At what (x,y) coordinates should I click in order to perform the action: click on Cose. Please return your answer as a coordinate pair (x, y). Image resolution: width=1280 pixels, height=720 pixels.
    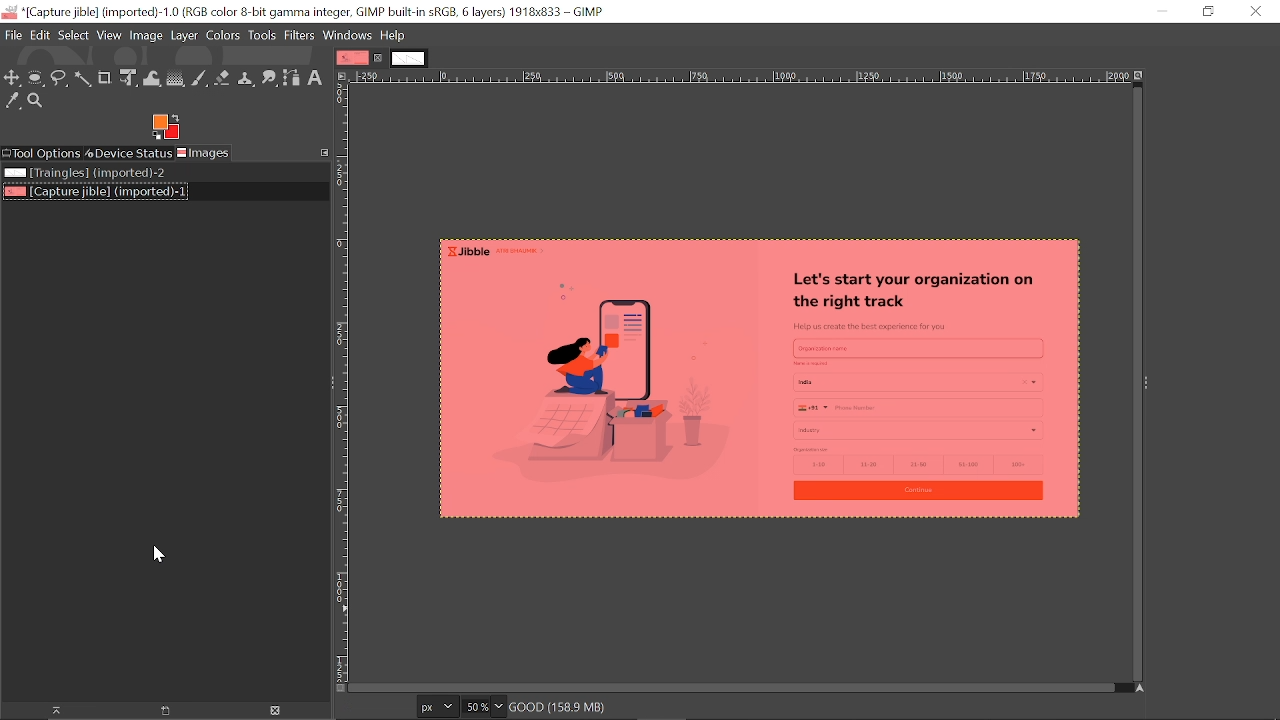
    Looking at the image, I should click on (1255, 11).